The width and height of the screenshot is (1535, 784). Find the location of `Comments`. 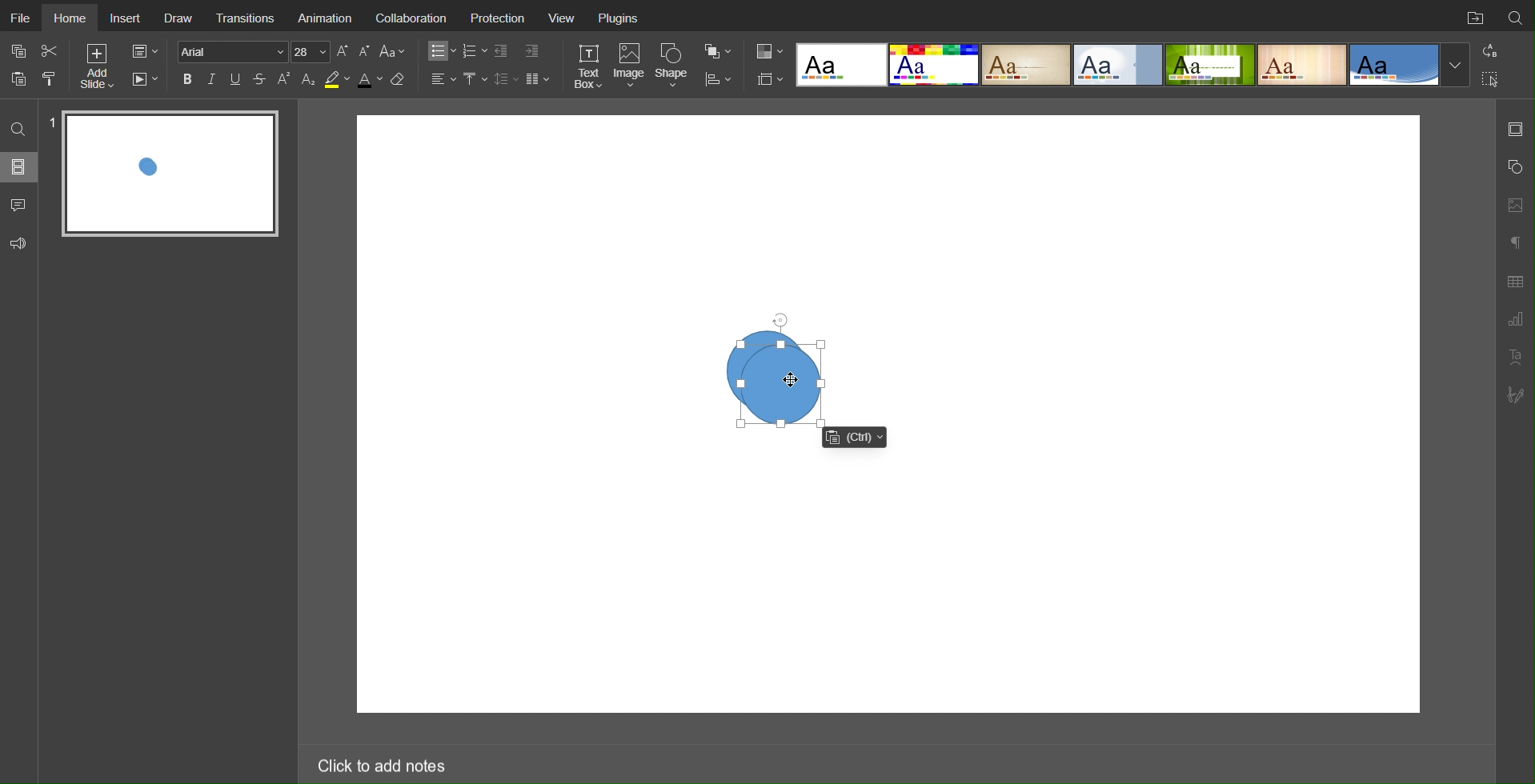

Comments is located at coordinates (20, 205).